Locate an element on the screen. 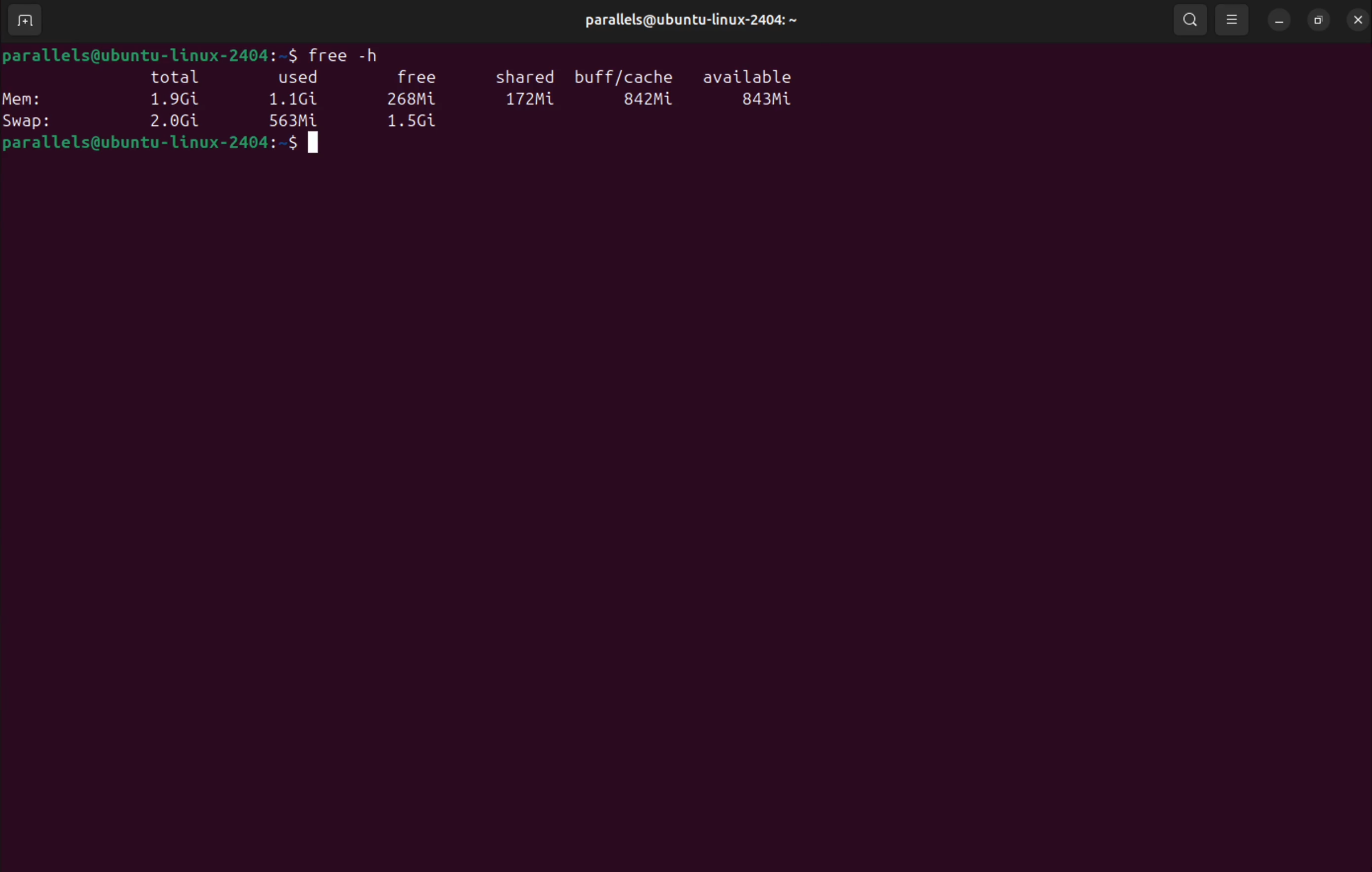  1.5Gi is located at coordinates (416, 122).